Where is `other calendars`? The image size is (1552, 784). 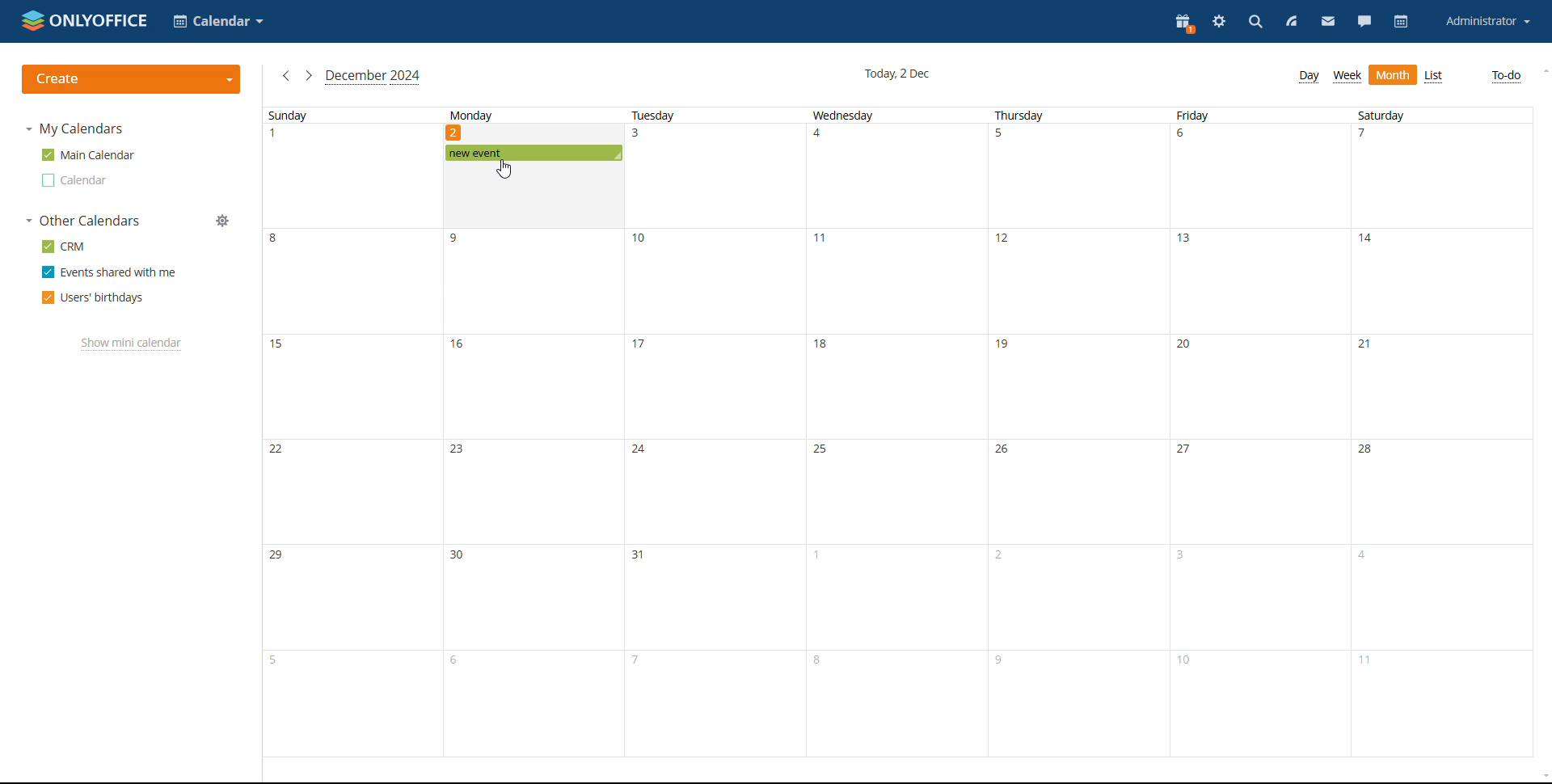 other calendars is located at coordinates (82, 221).